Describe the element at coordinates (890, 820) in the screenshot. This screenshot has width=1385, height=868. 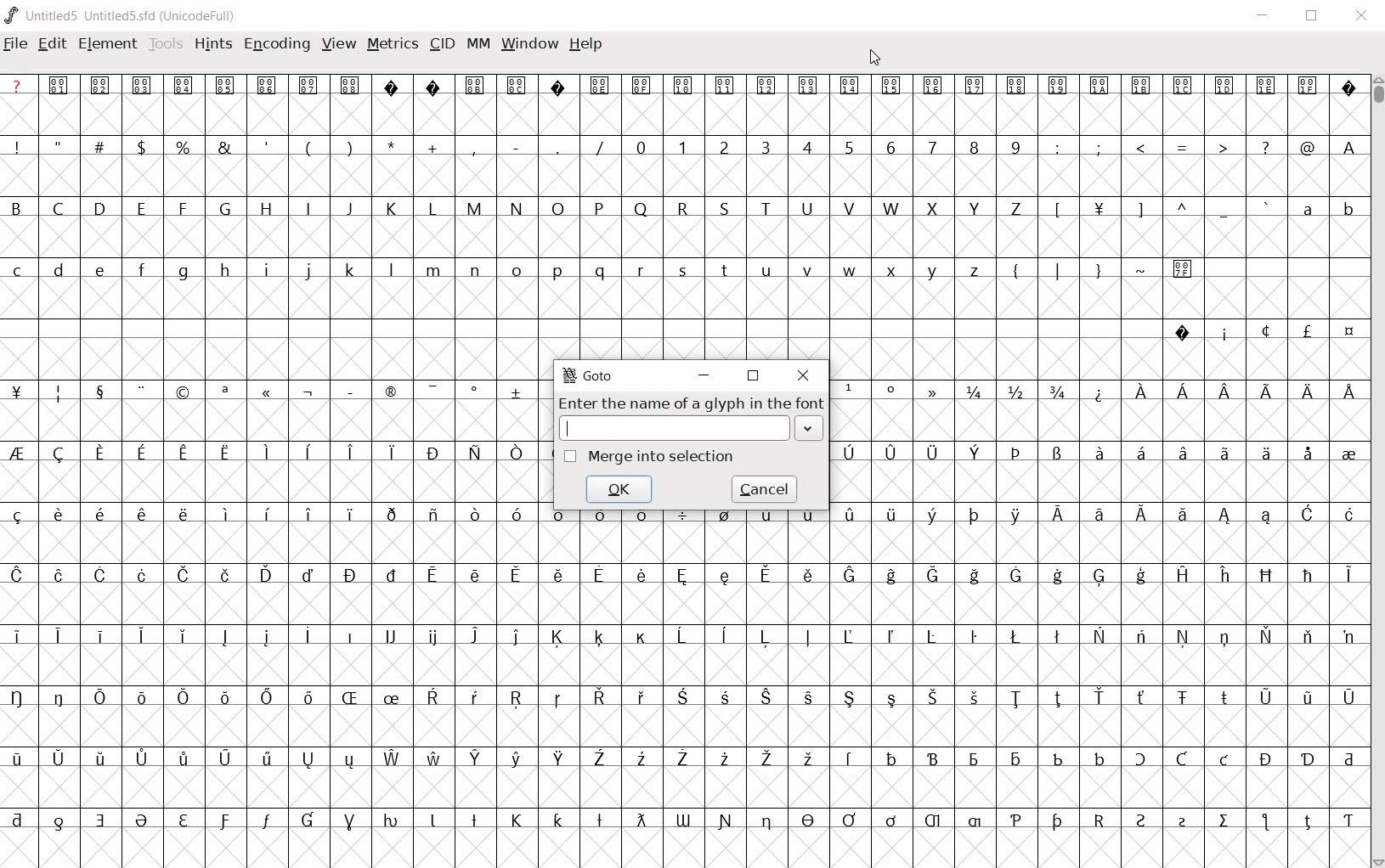
I see `Symbol` at that location.